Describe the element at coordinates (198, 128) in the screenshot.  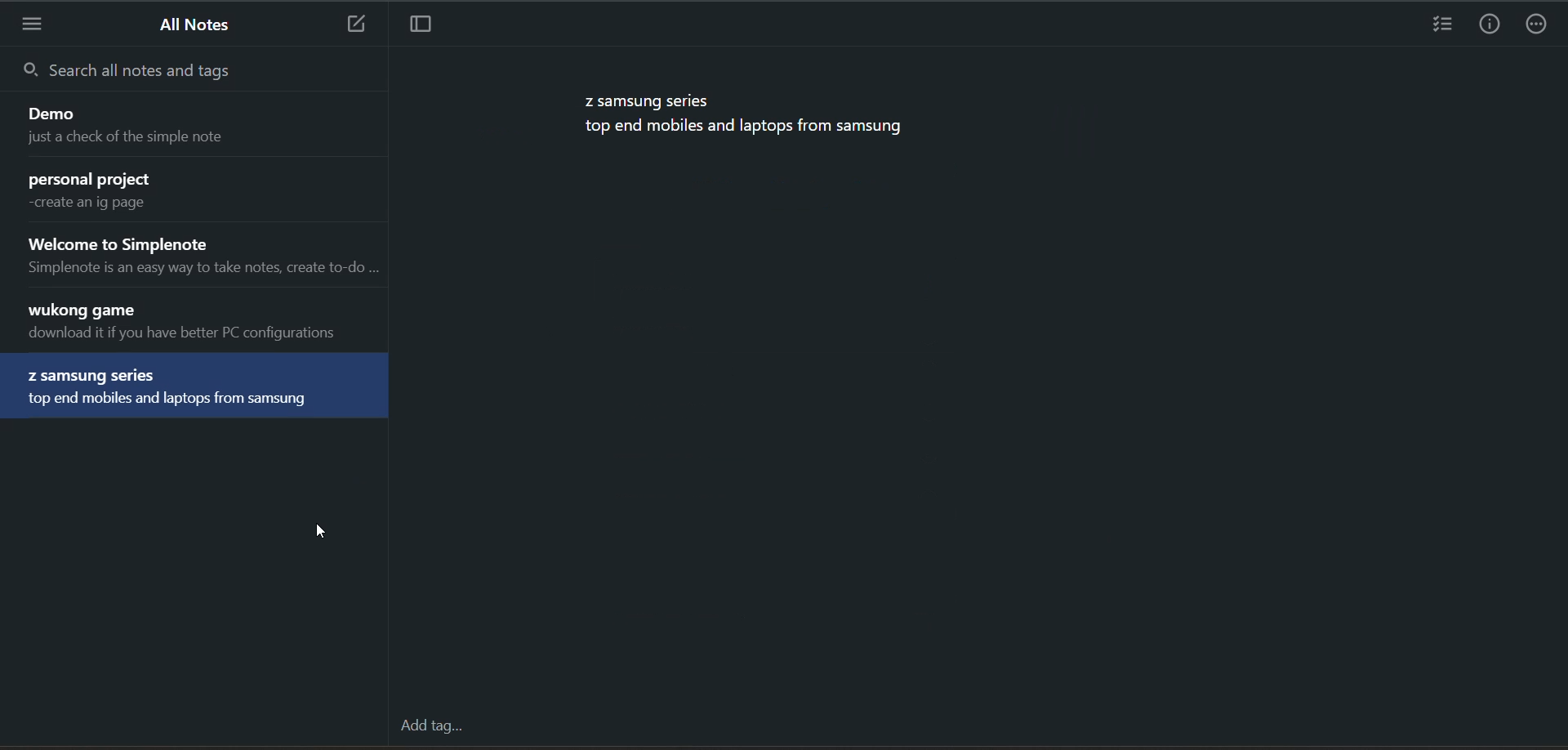
I see `Demo
just a check of the simple note` at that location.